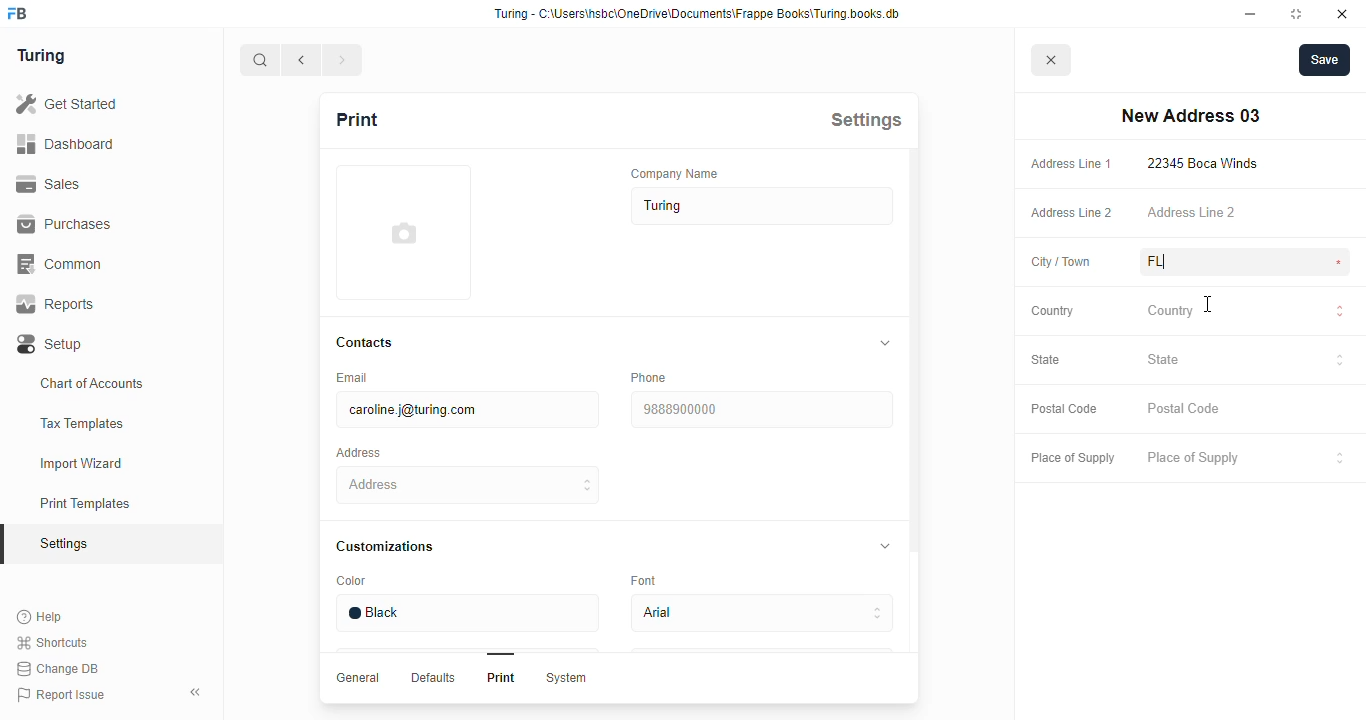 The image size is (1366, 720). Describe the element at coordinates (57, 669) in the screenshot. I see `change DB` at that location.